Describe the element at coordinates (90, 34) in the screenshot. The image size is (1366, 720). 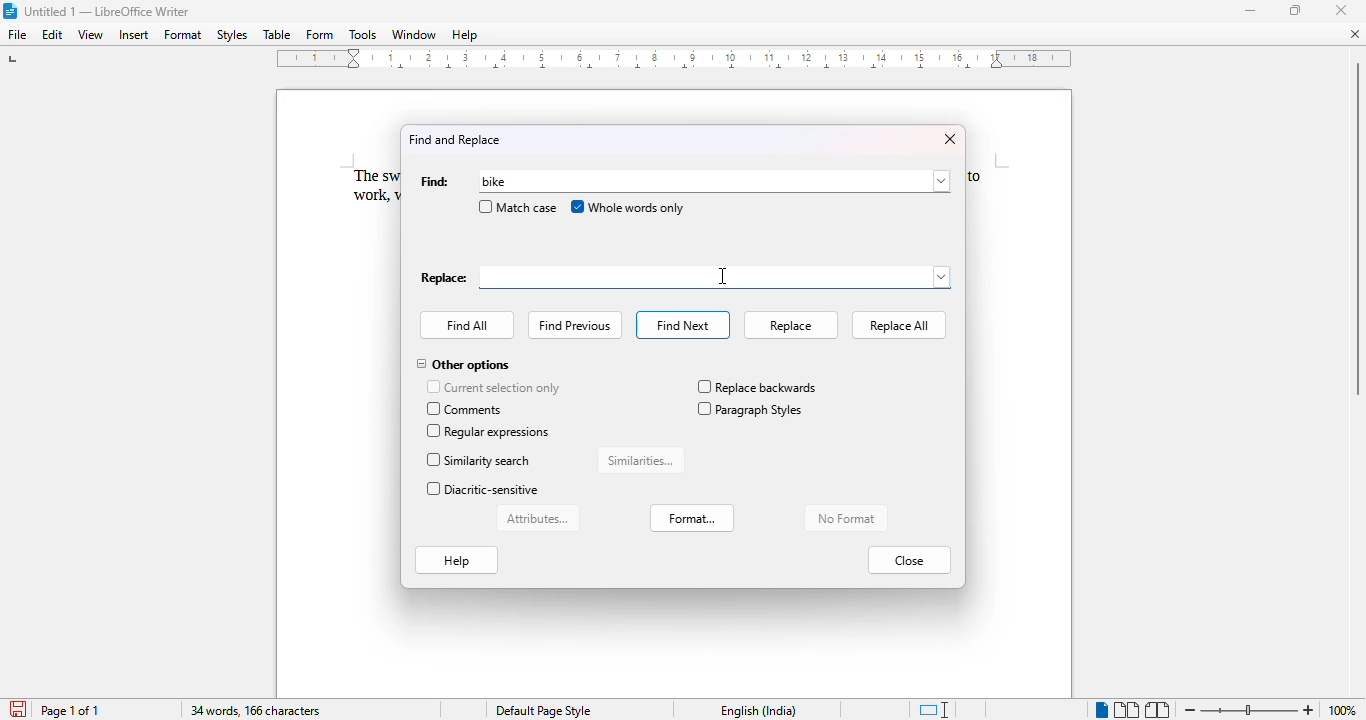
I see `view` at that location.